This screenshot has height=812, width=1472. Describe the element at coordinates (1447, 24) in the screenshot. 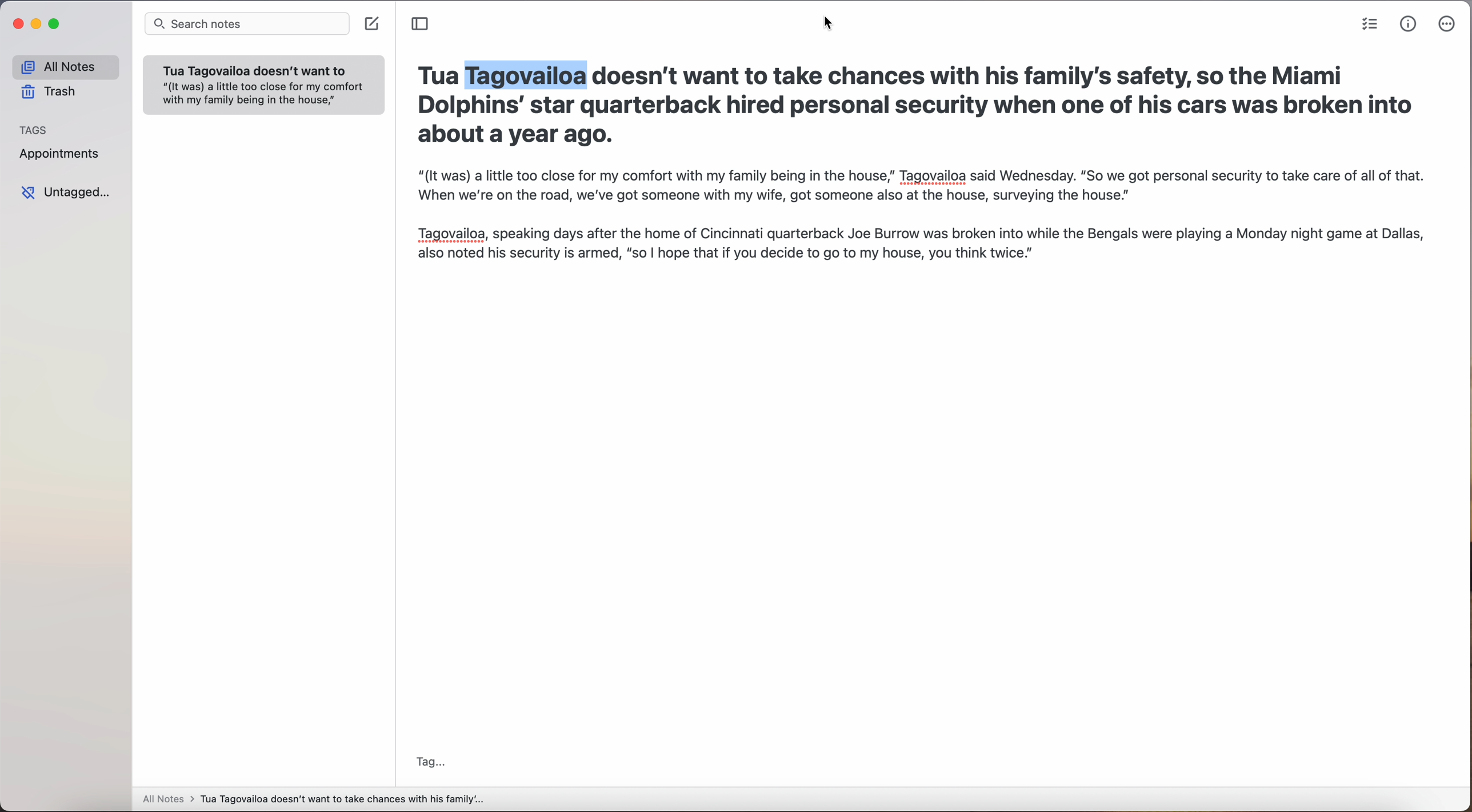

I see `more options` at that location.